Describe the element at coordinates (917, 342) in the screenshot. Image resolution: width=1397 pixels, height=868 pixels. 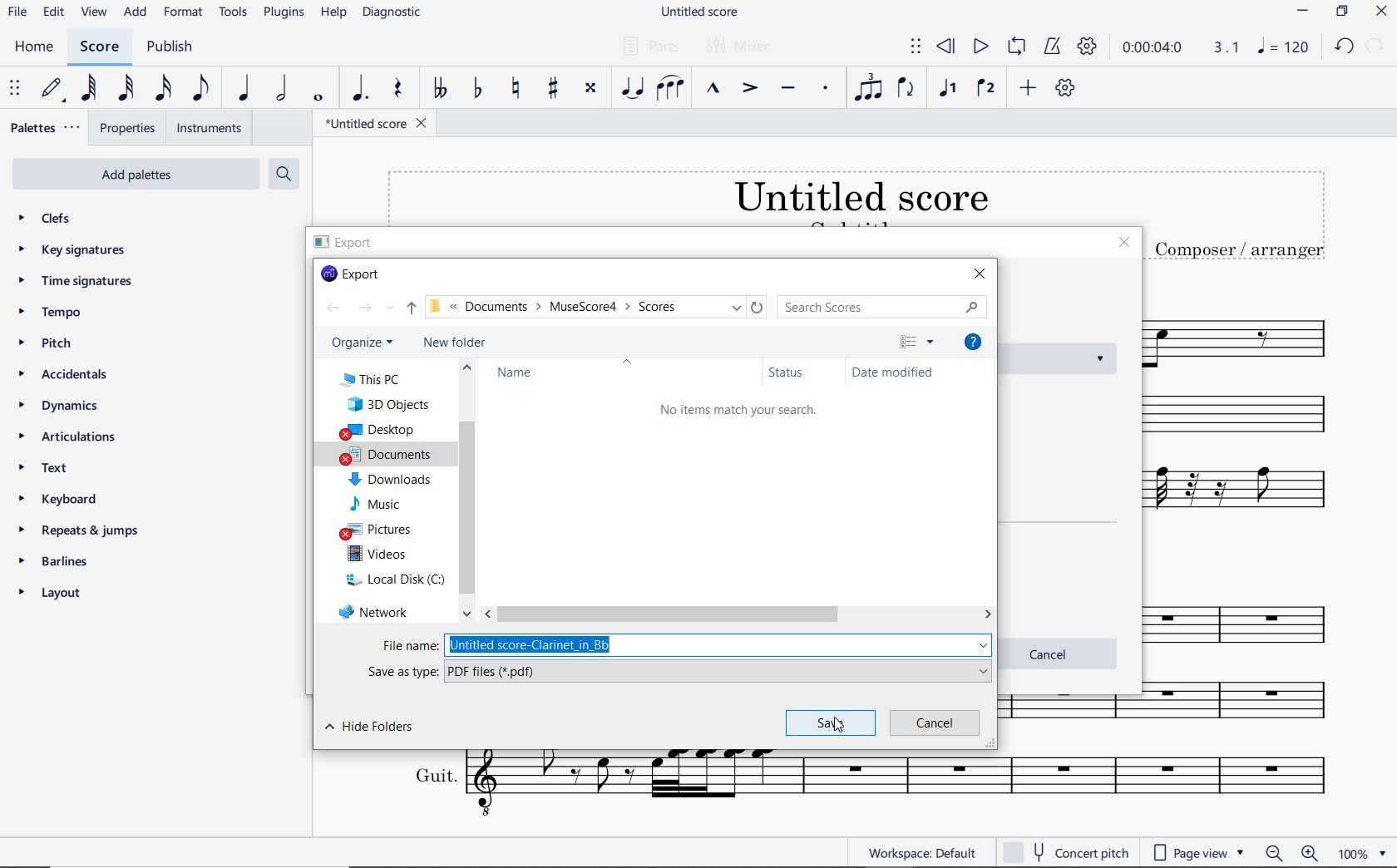
I see `CHANGE YOUR VIEW` at that location.